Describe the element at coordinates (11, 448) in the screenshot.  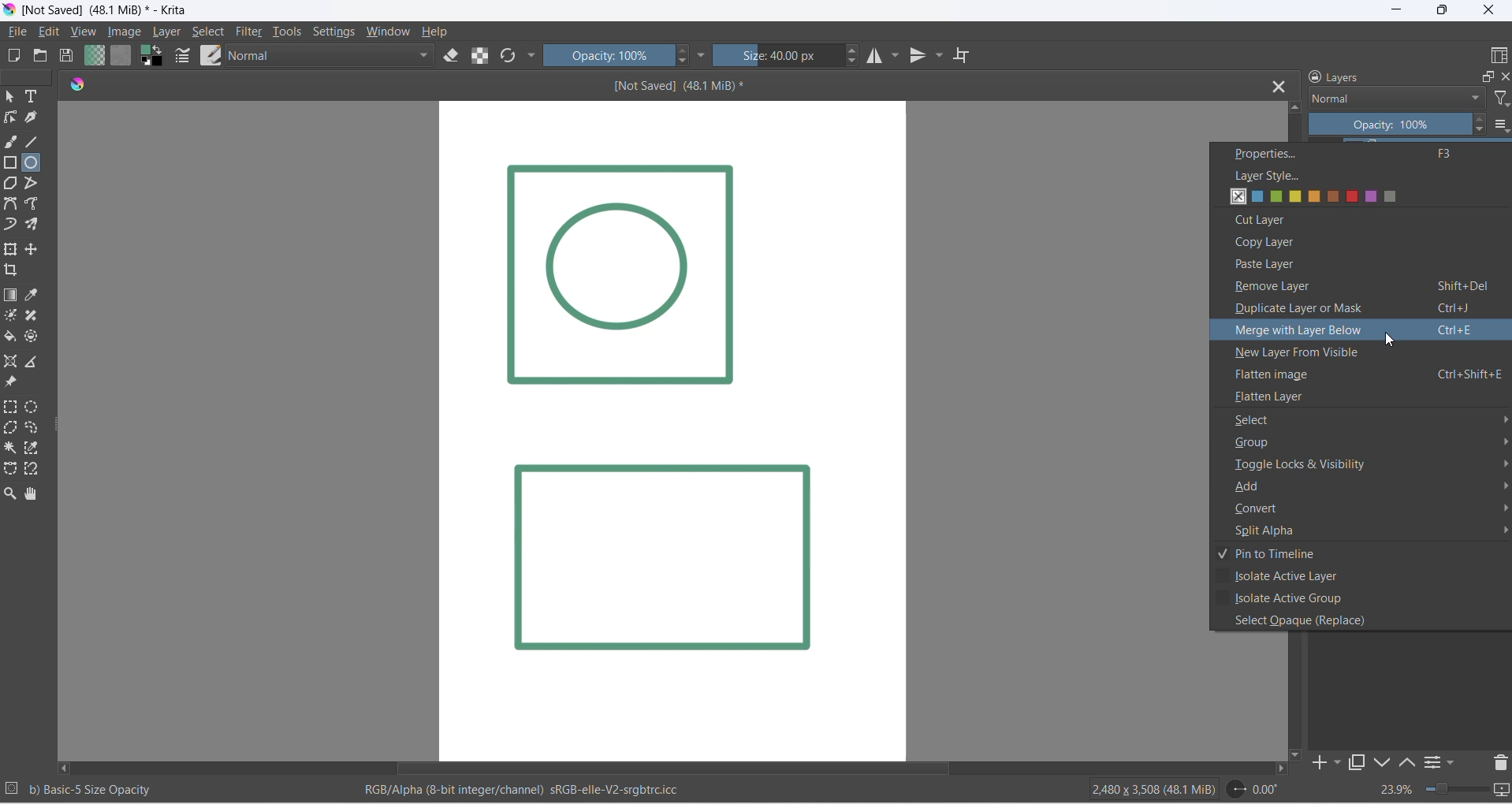
I see `contigous selection stool` at that location.